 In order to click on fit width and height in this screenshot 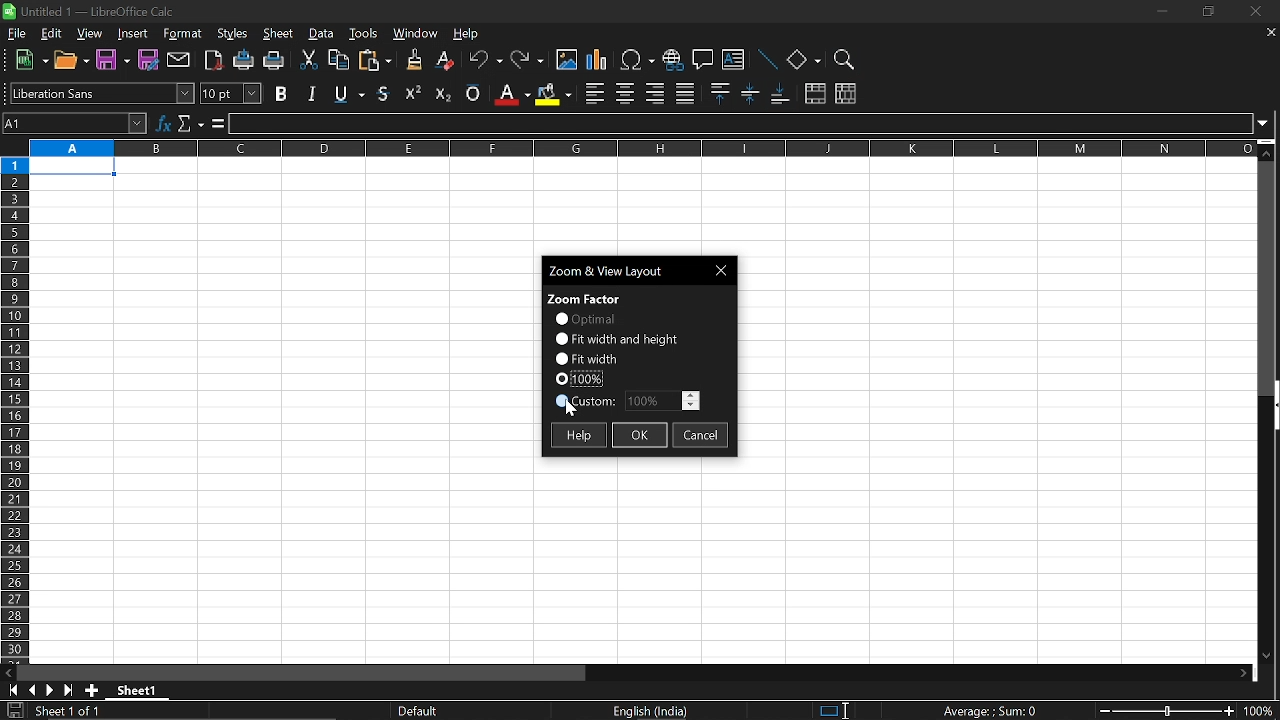, I will do `click(619, 338)`.